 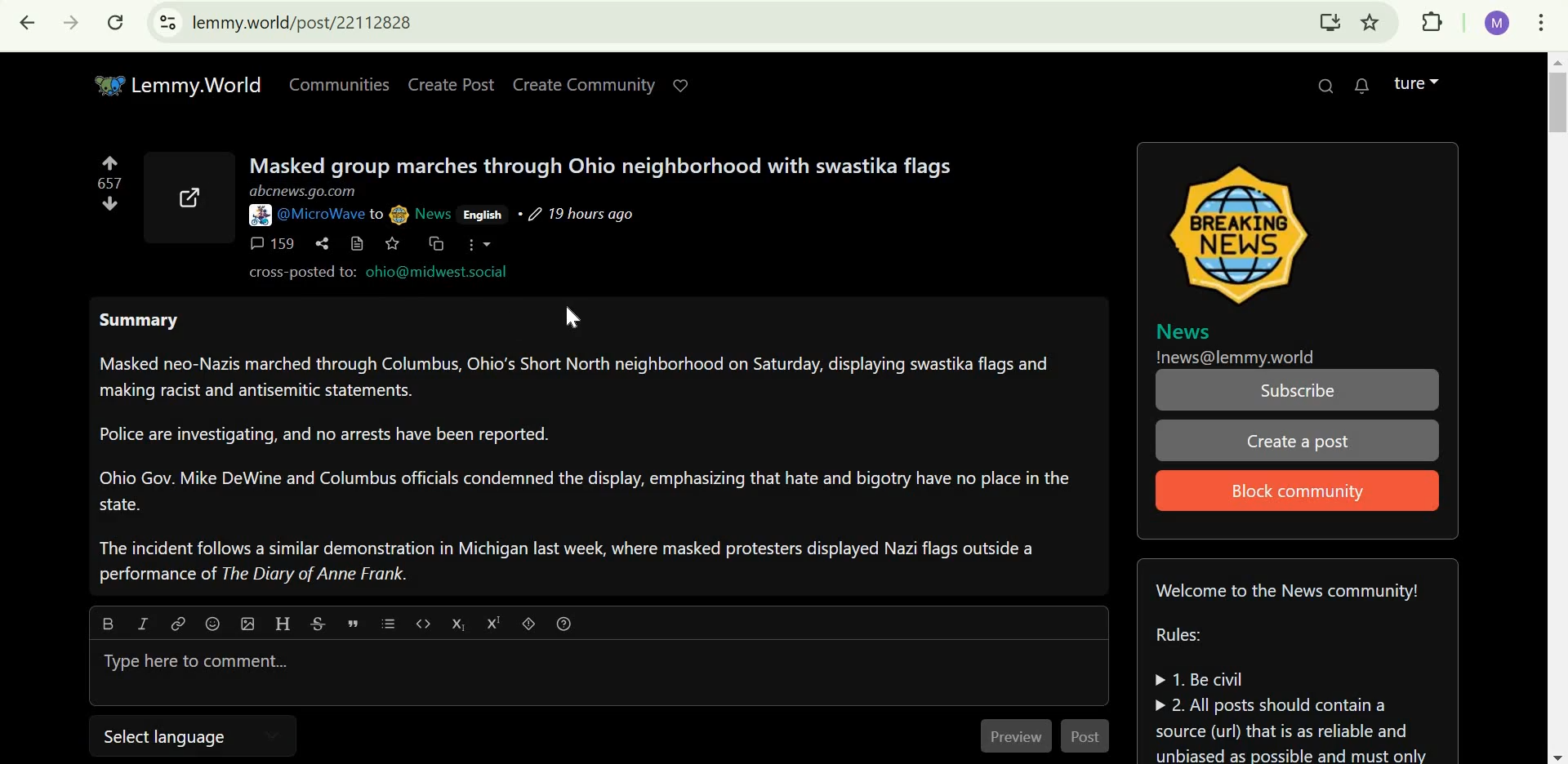 What do you see at coordinates (421, 624) in the screenshot?
I see `code` at bounding box center [421, 624].